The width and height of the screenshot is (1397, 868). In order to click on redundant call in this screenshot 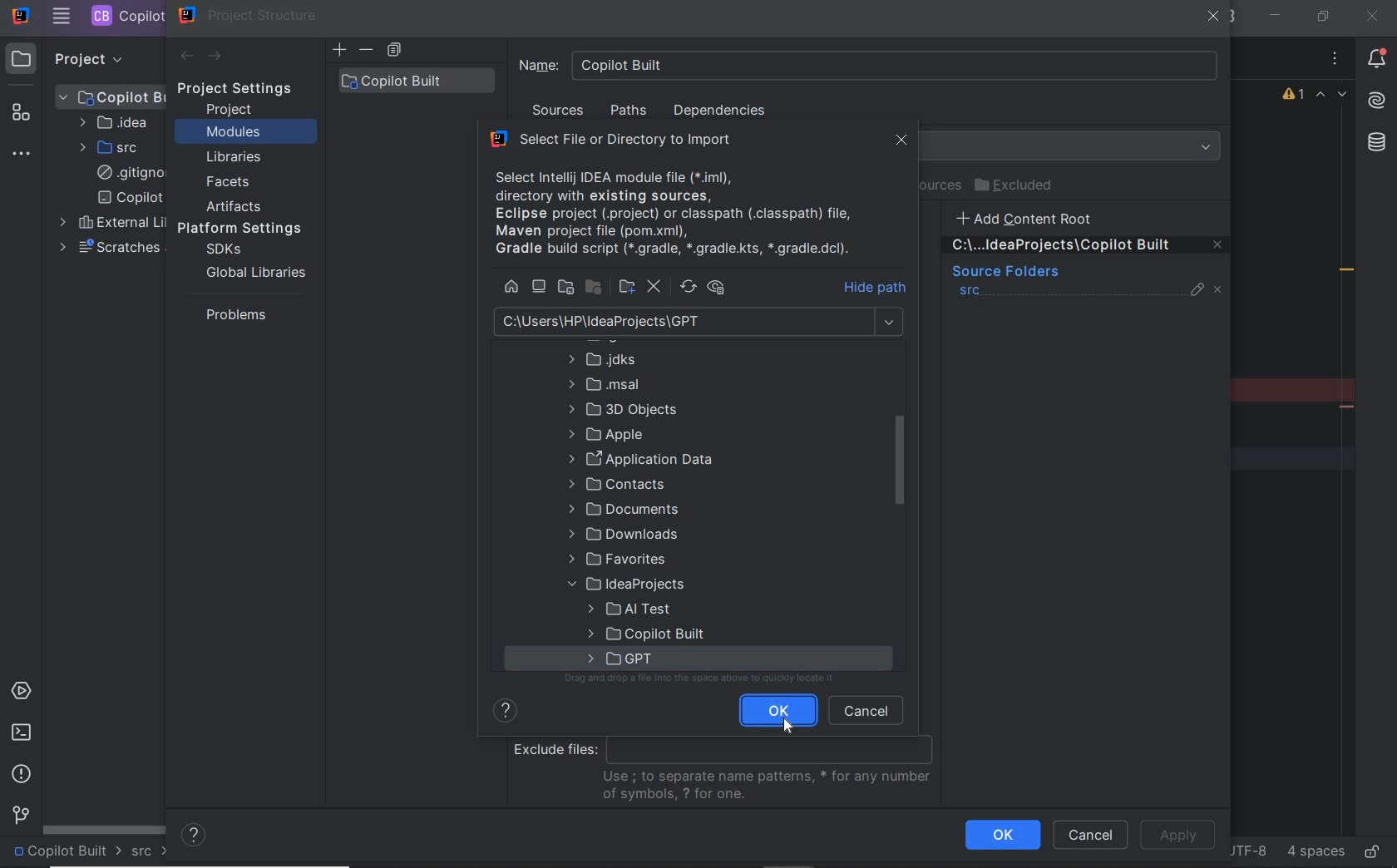, I will do `click(1347, 272)`.